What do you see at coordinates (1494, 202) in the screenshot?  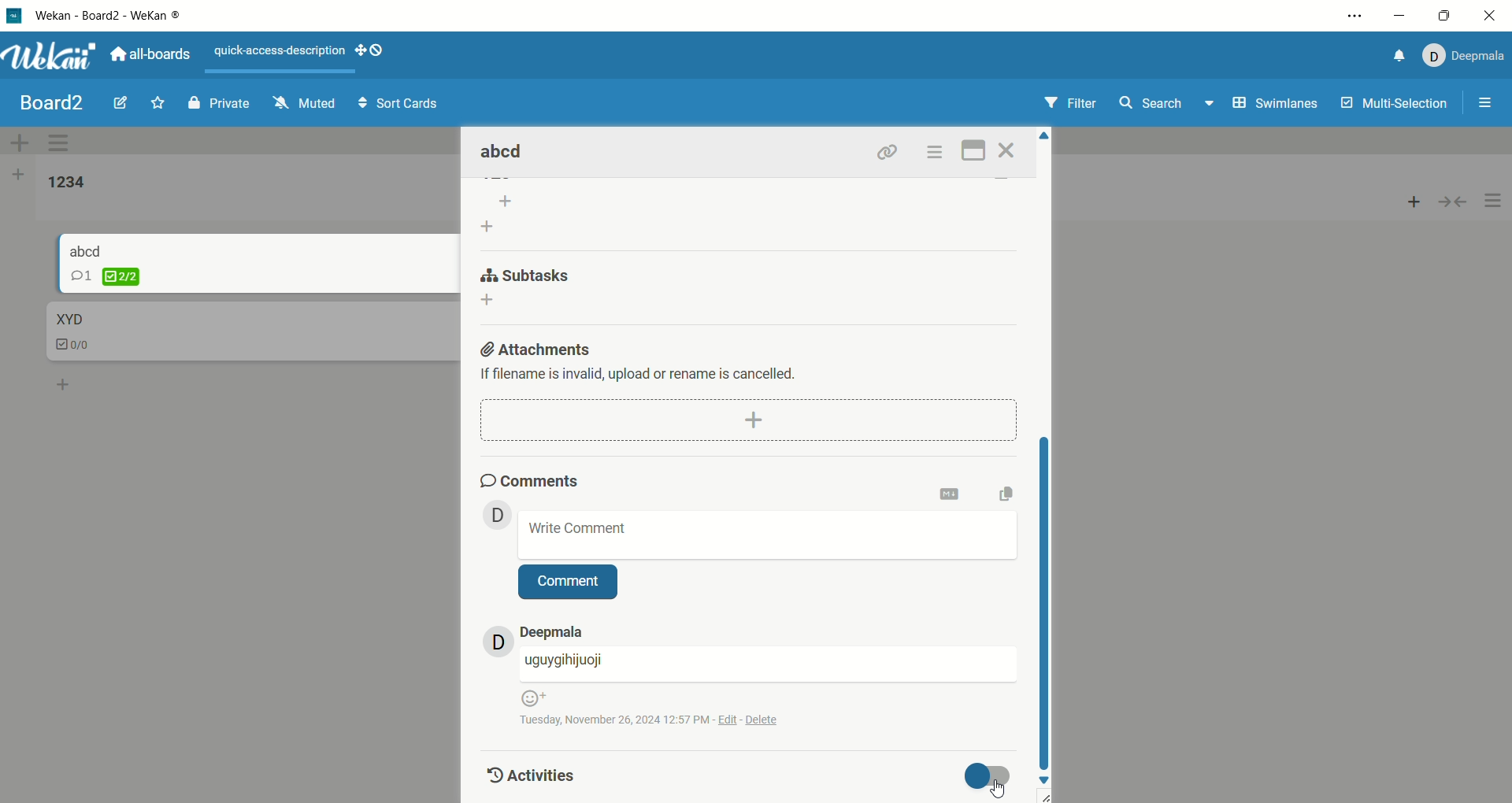 I see `options` at bounding box center [1494, 202].